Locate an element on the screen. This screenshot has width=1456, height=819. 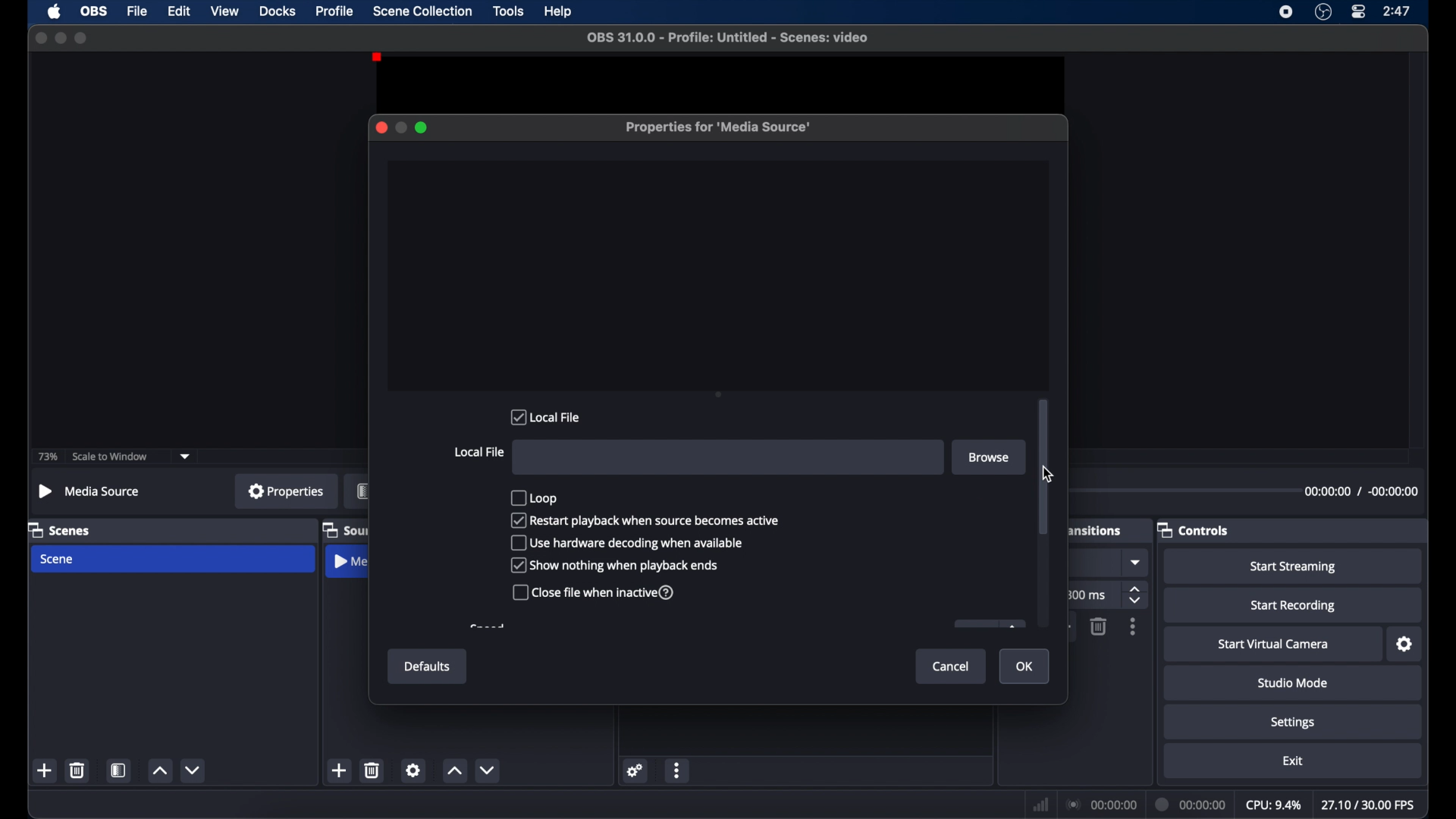
close is located at coordinates (40, 37).